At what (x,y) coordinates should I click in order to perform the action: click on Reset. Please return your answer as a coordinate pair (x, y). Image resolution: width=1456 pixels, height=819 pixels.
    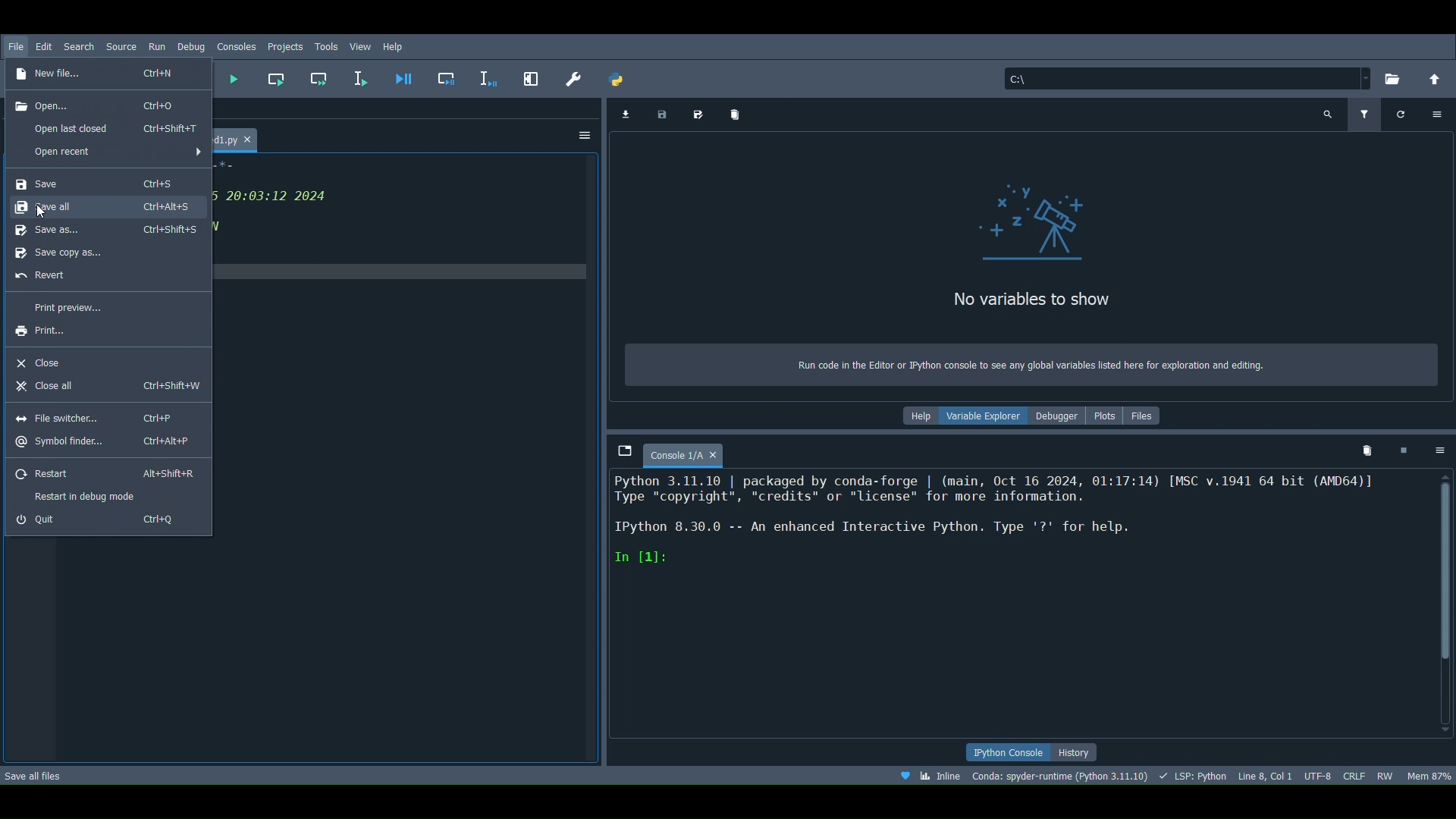
    Looking at the image, I should click on (102, 279).